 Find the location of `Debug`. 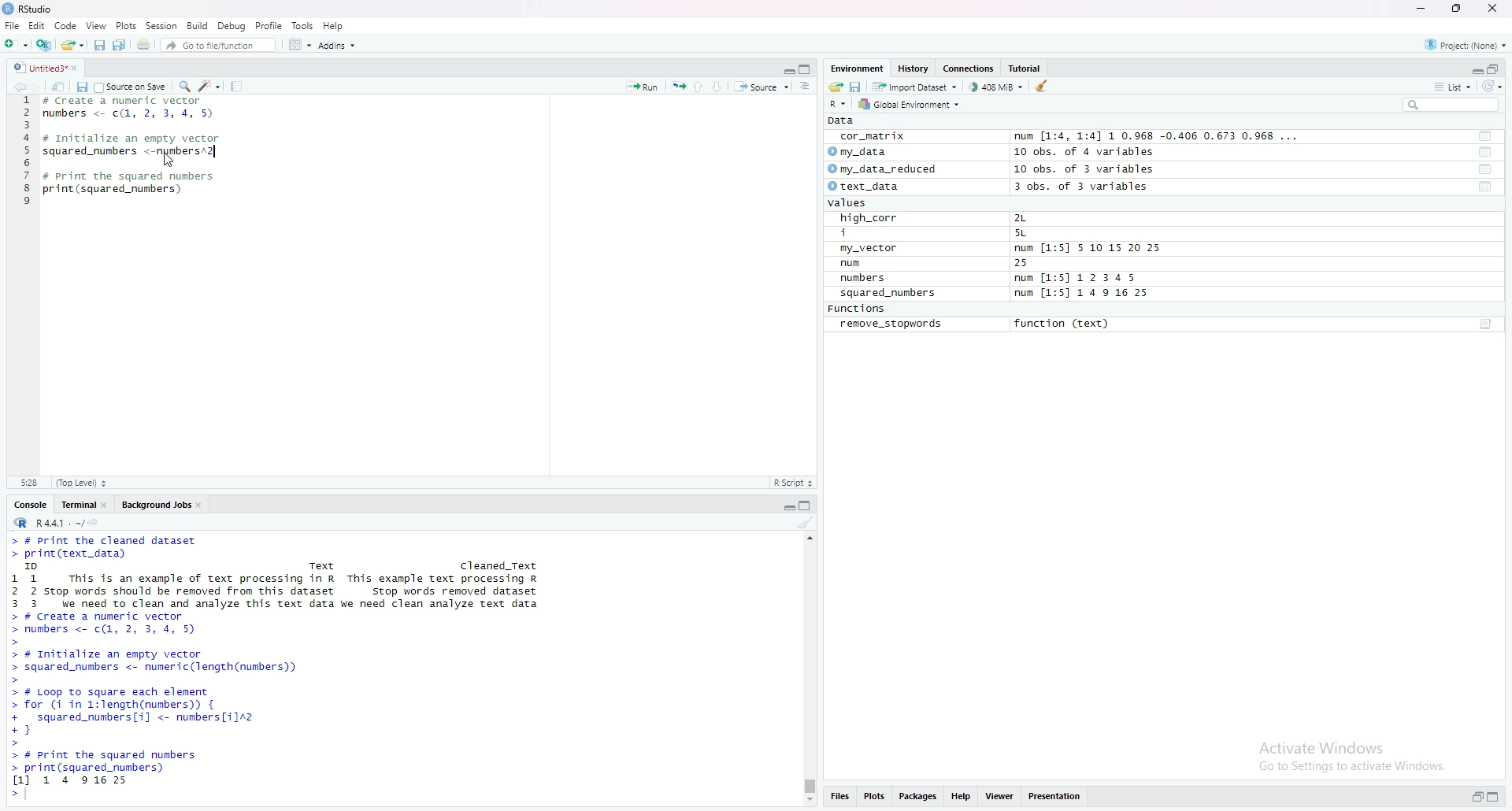

Debug is located at coordinates (232, 25).